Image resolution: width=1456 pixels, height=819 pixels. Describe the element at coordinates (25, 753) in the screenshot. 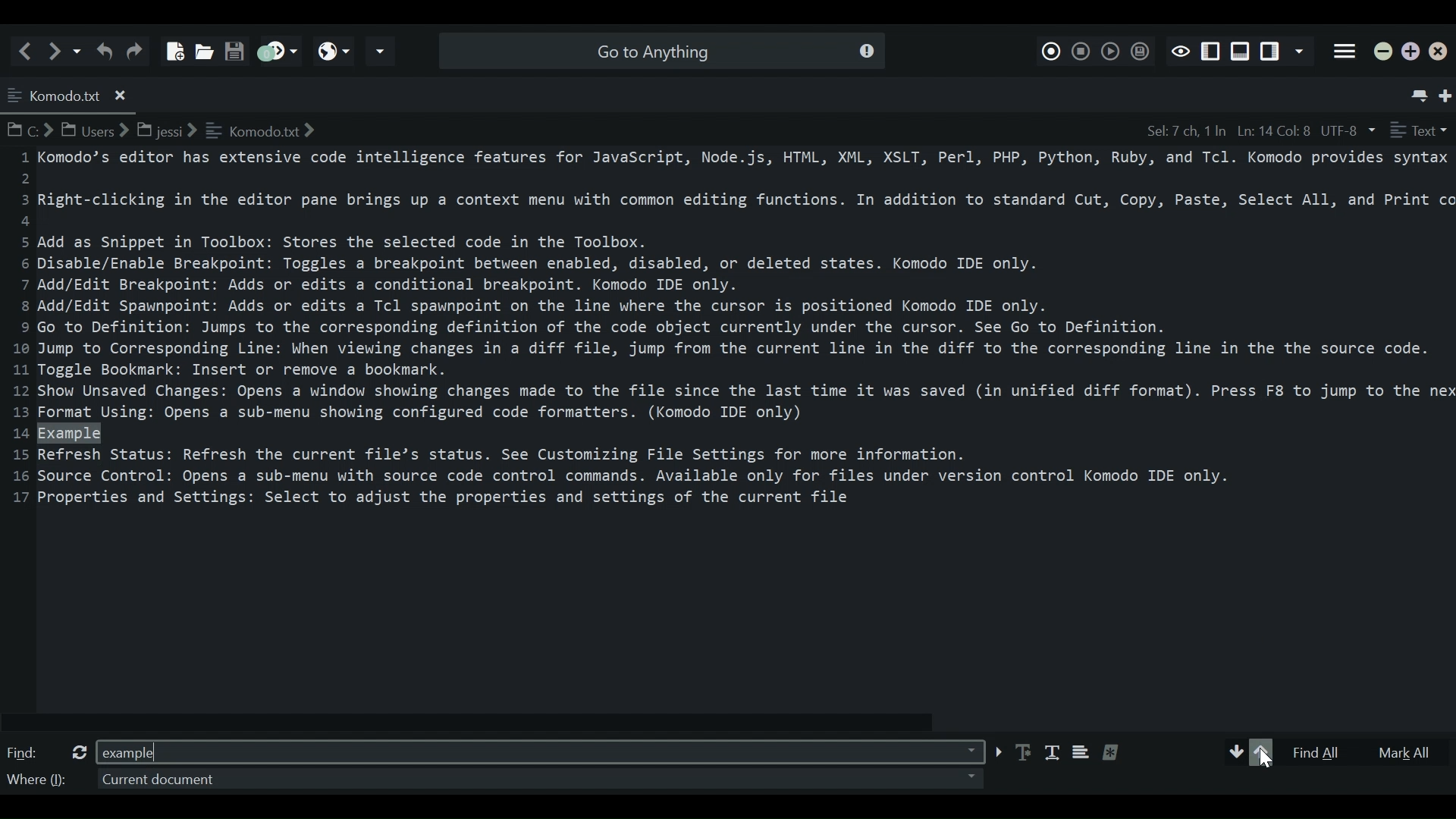

I see `Find` at that location.